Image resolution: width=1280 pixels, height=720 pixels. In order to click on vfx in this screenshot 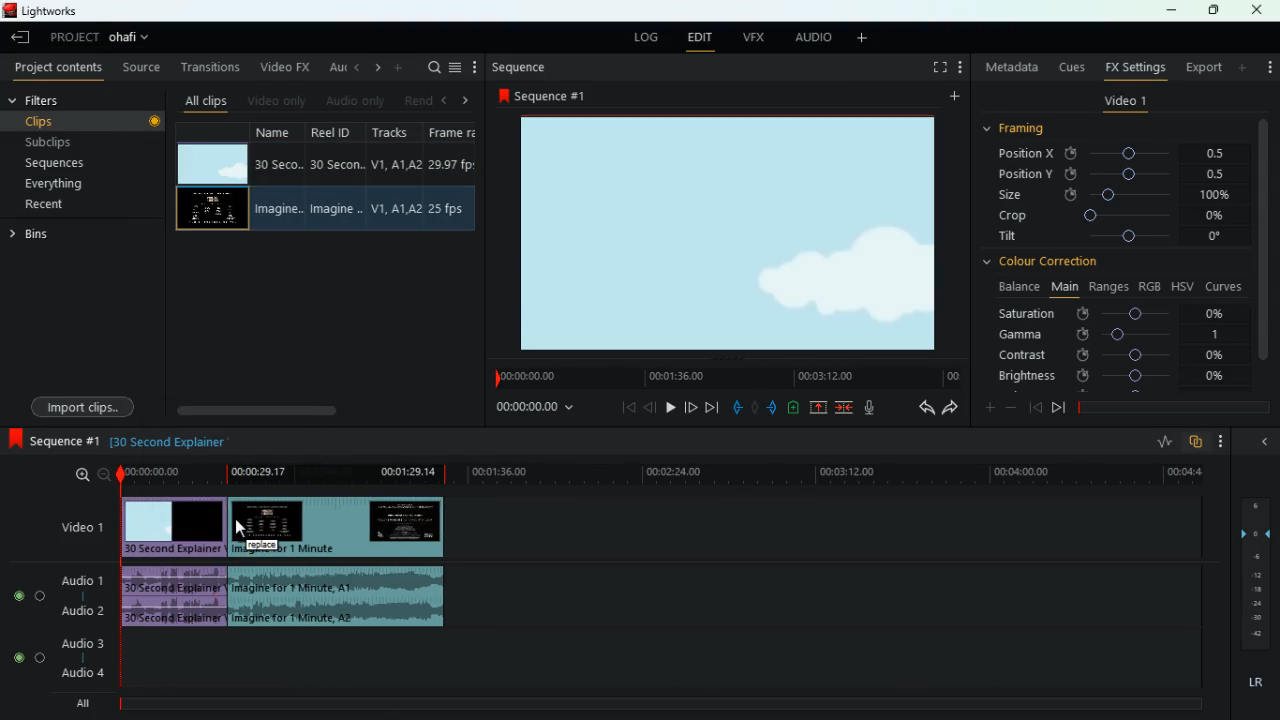, I will do `click(757, 37)`.